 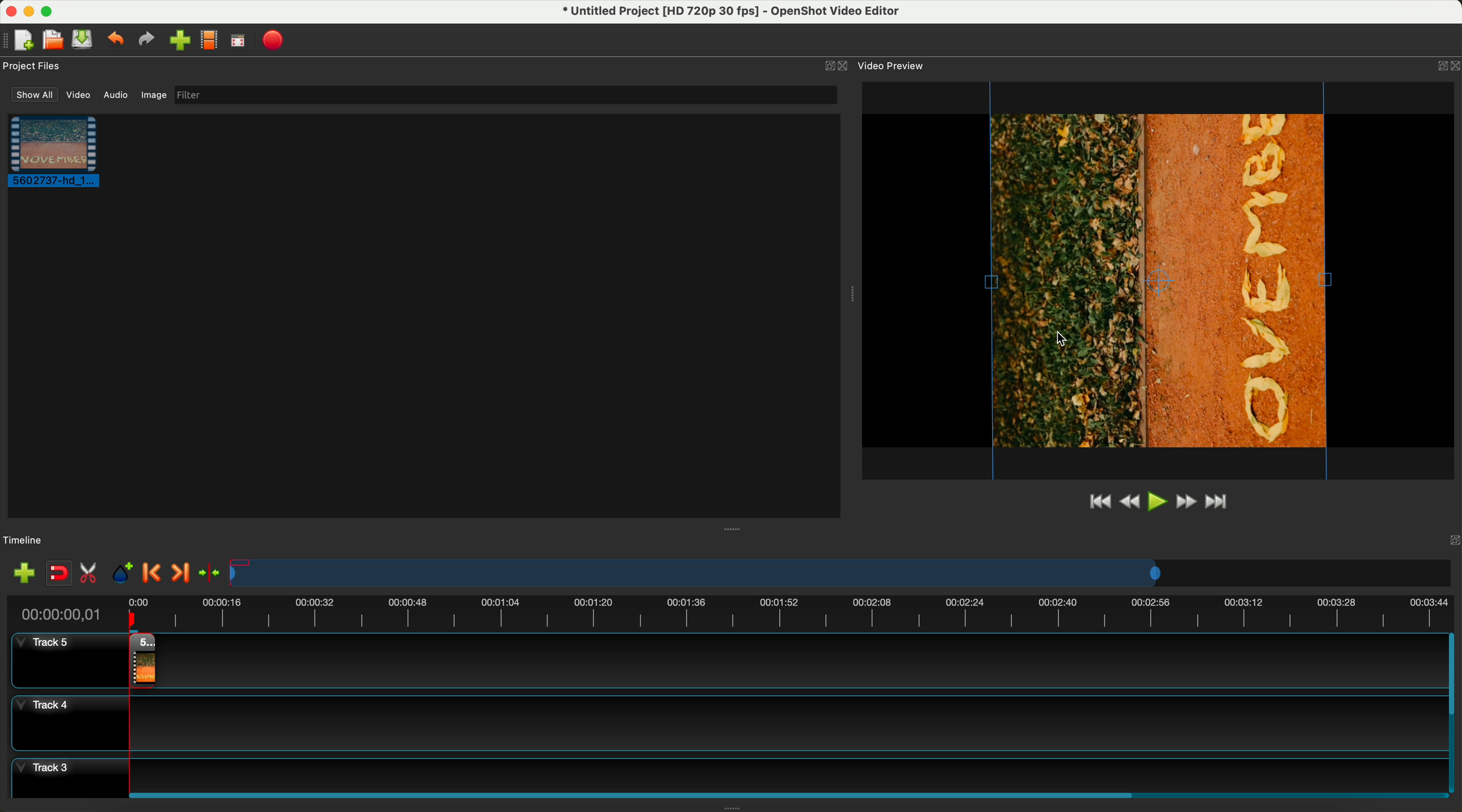 What do you see at coordinates (91, 574) in the screenshot?
I see `enable razor` at bounding box center [91, 574].